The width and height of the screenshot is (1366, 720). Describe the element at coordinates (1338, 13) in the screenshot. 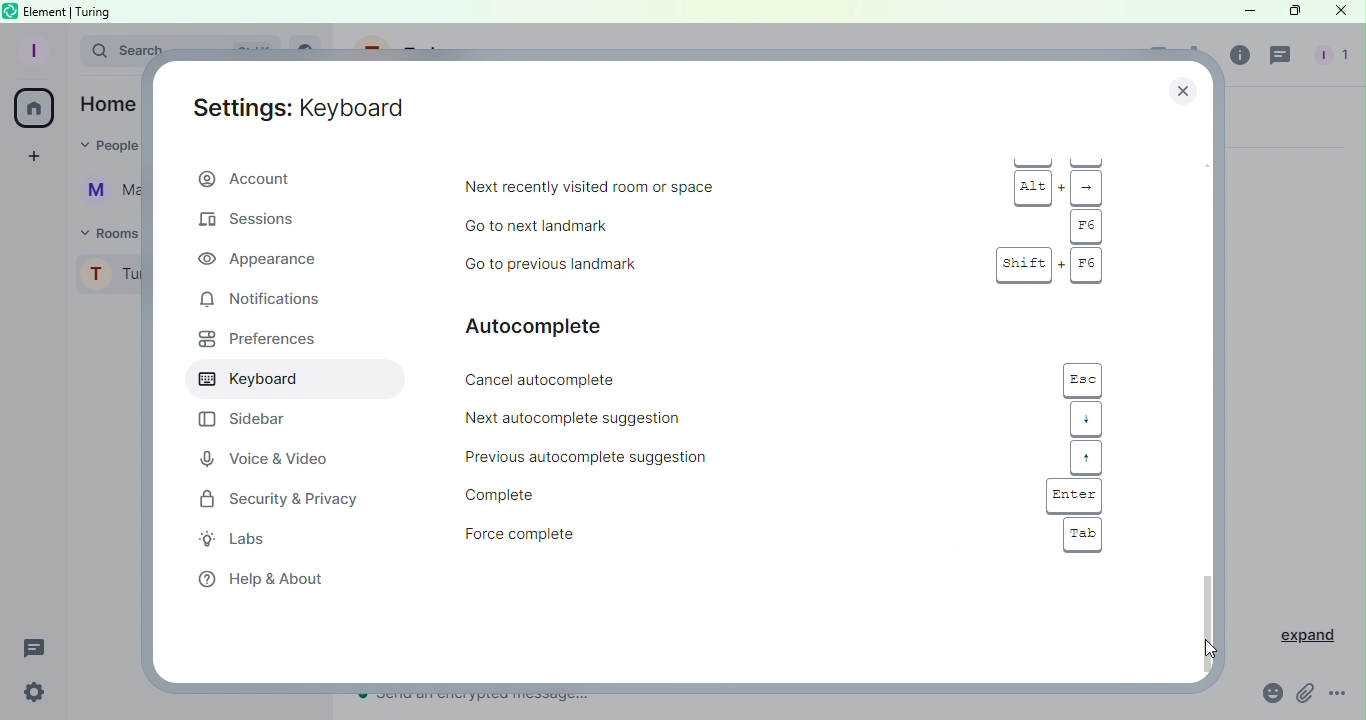

I see `Close` at that location.